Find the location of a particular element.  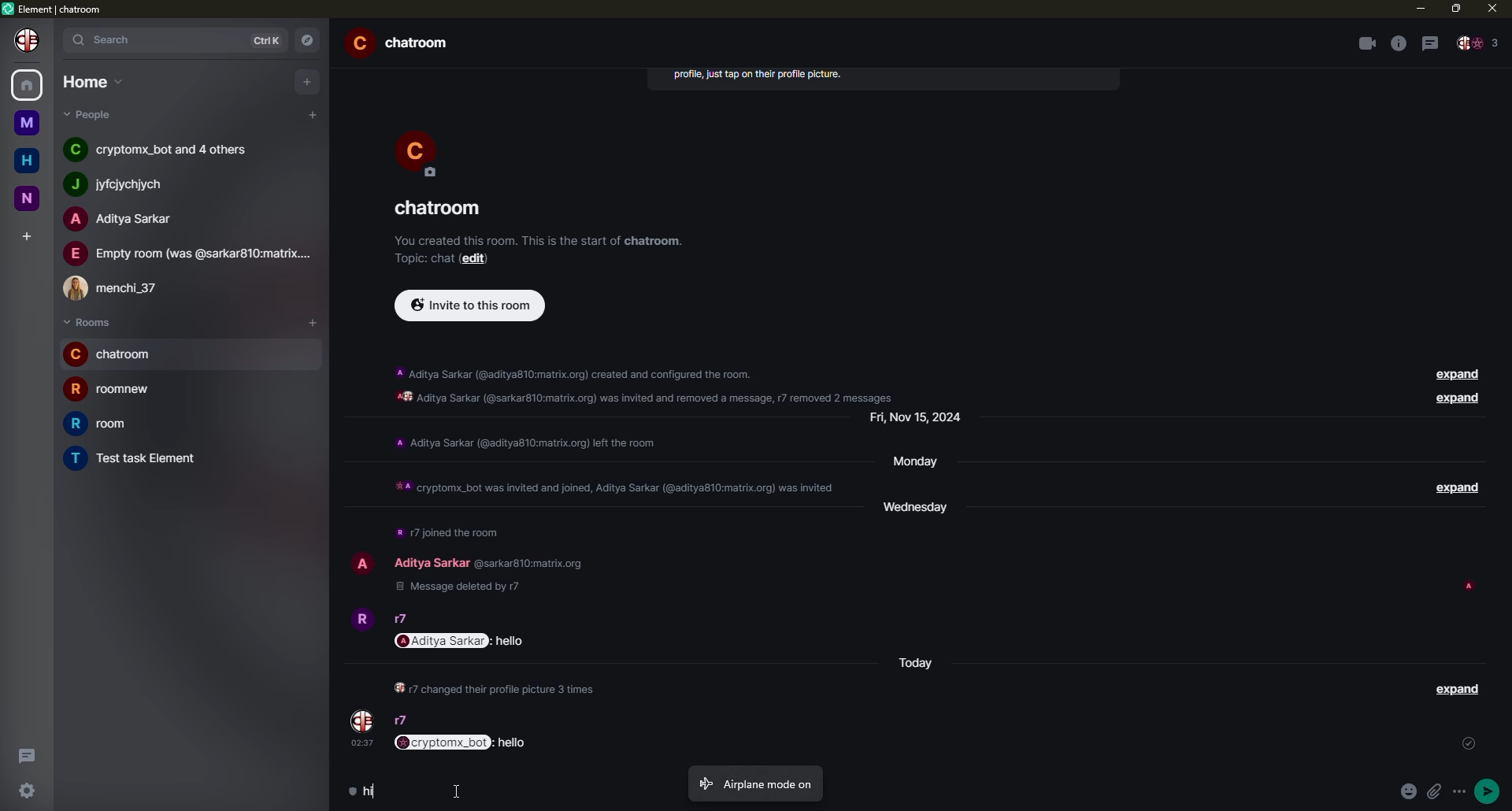

room is located at coordinates (139, 458).